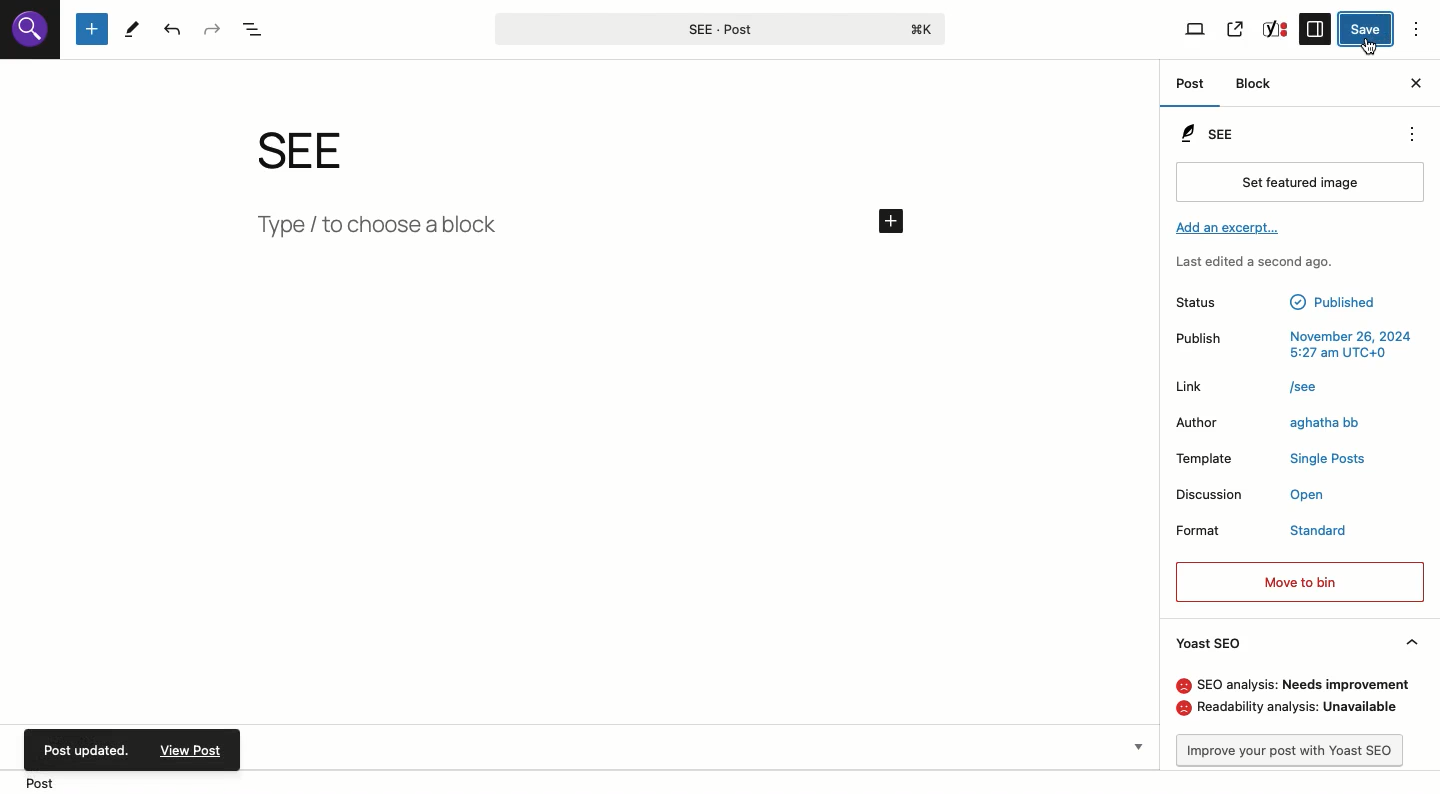 This screenshot has height=794, width=1440. Describe the element at coordinates (717, 27) in the screenshot. I see `SEE-Post` at that location.